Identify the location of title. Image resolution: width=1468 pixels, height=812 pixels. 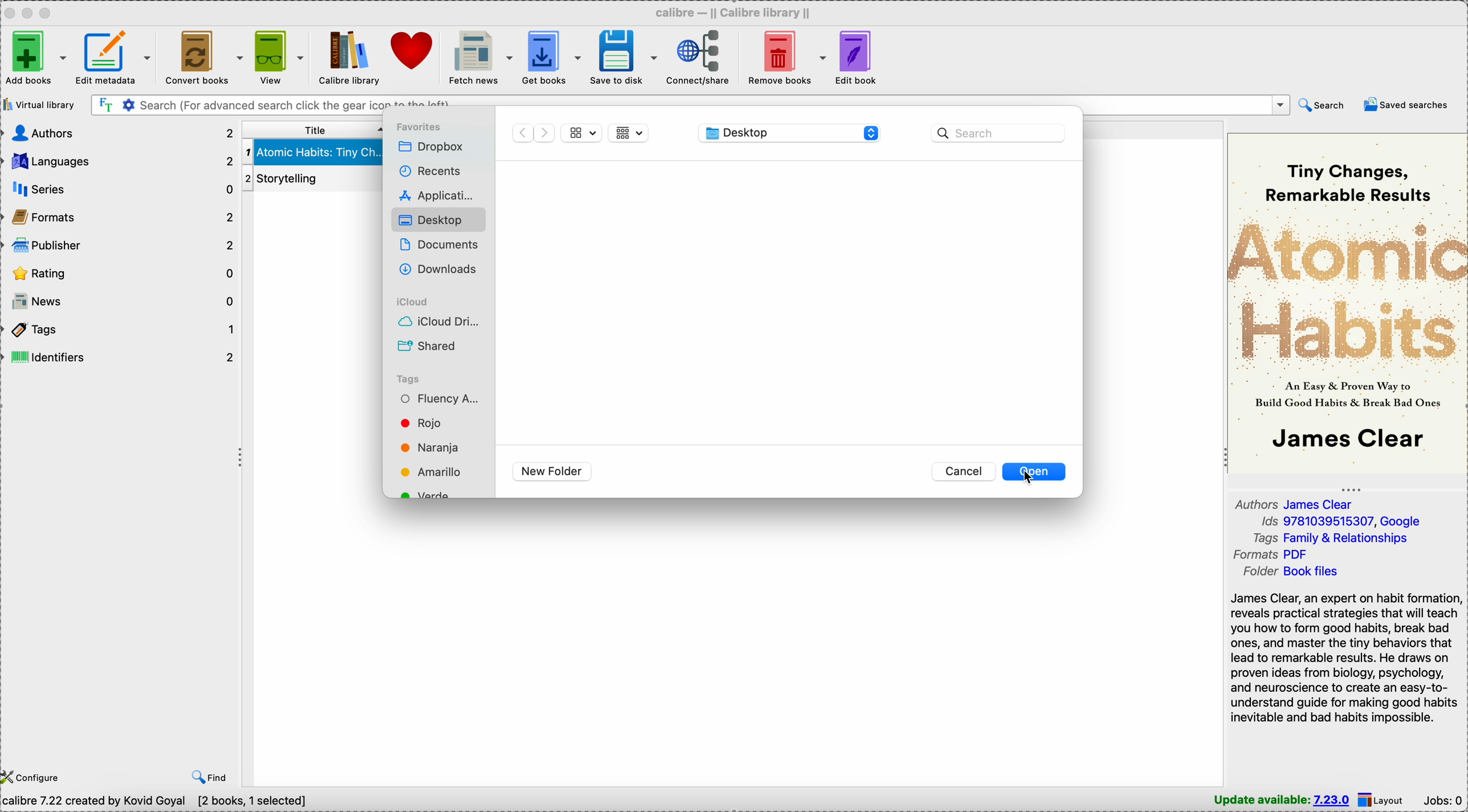
(313, 130).